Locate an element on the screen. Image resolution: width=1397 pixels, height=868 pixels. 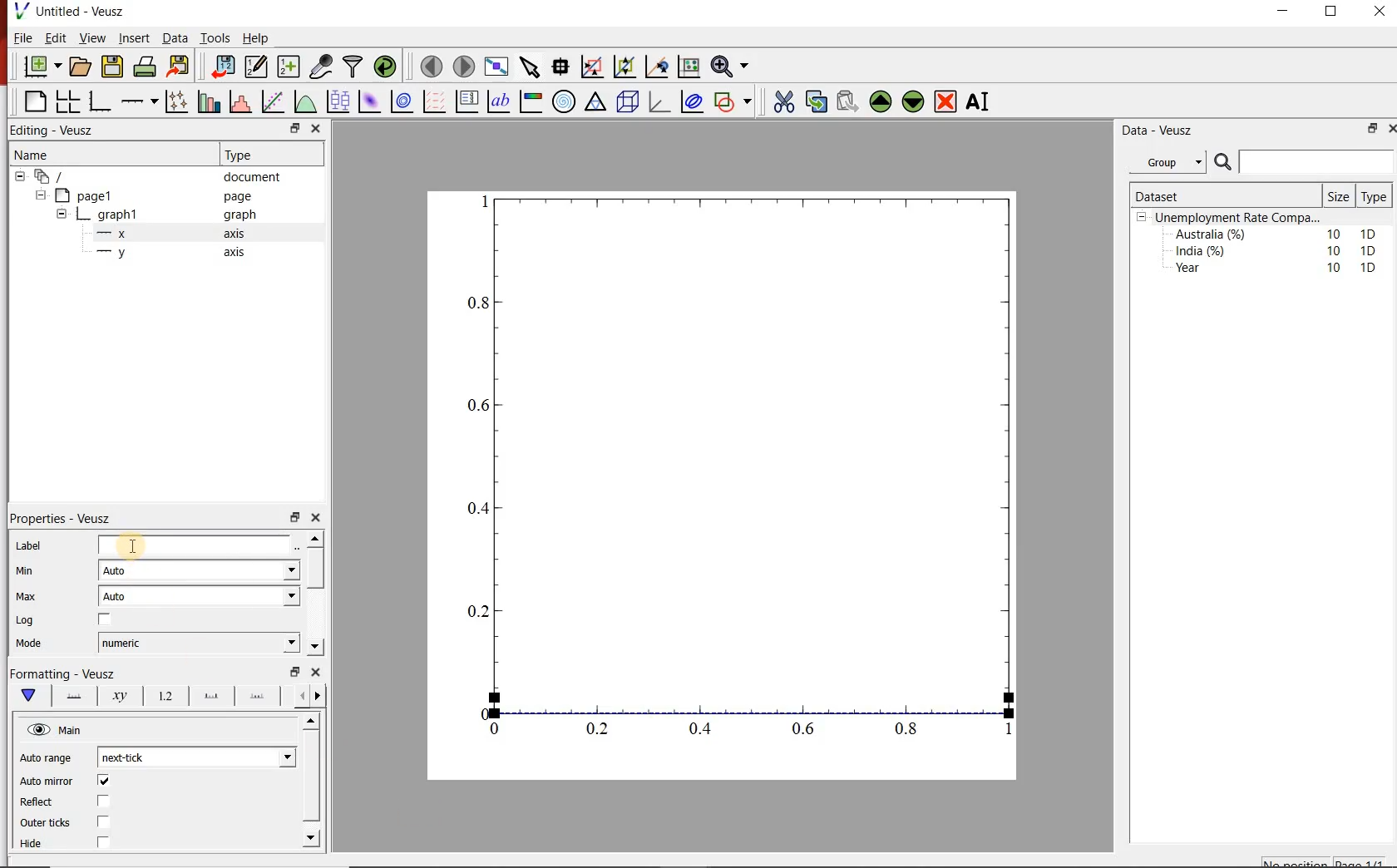
click to resset graph axes is located at coordinates (689, 65).